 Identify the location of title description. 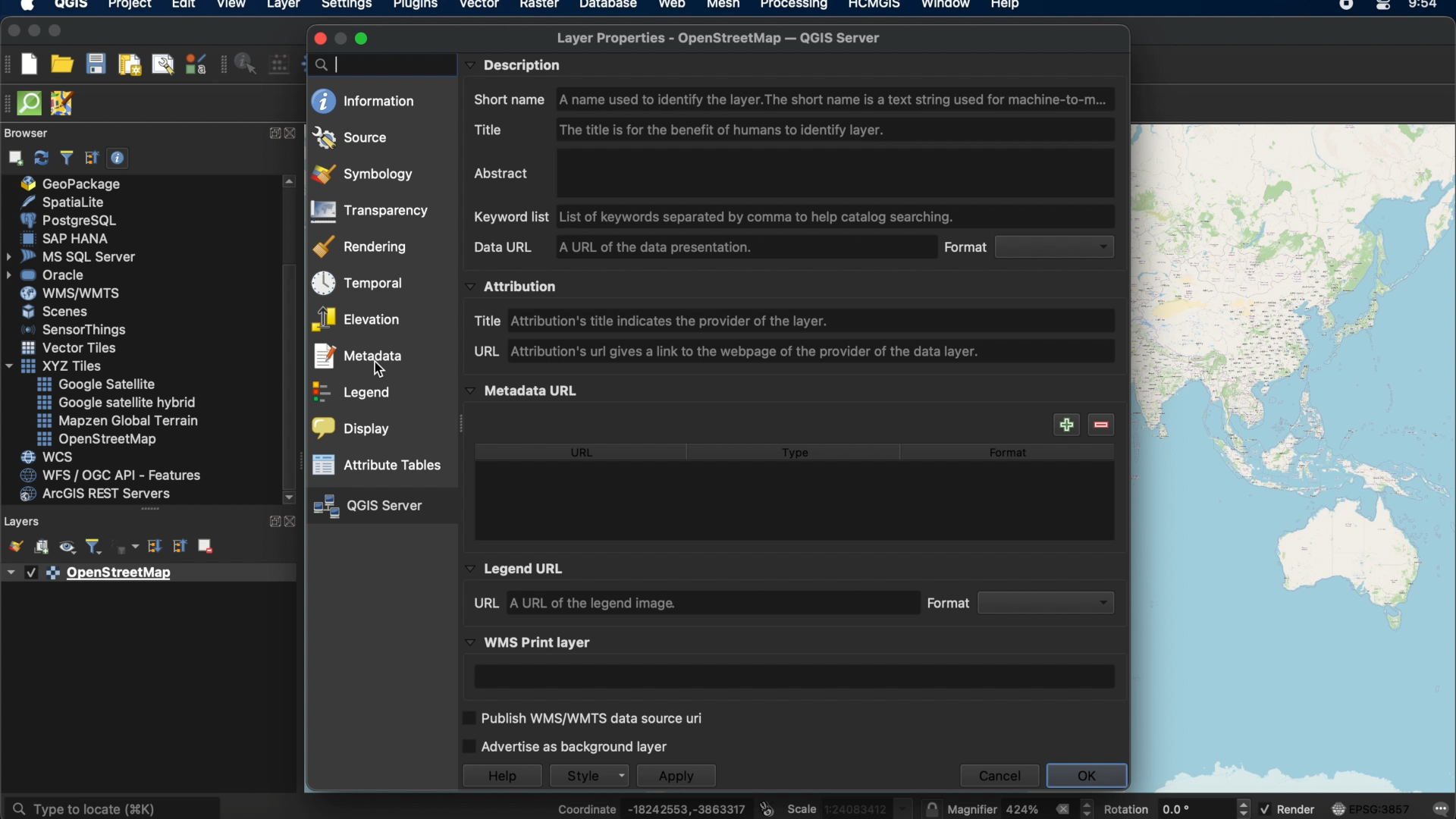
(686, 128).